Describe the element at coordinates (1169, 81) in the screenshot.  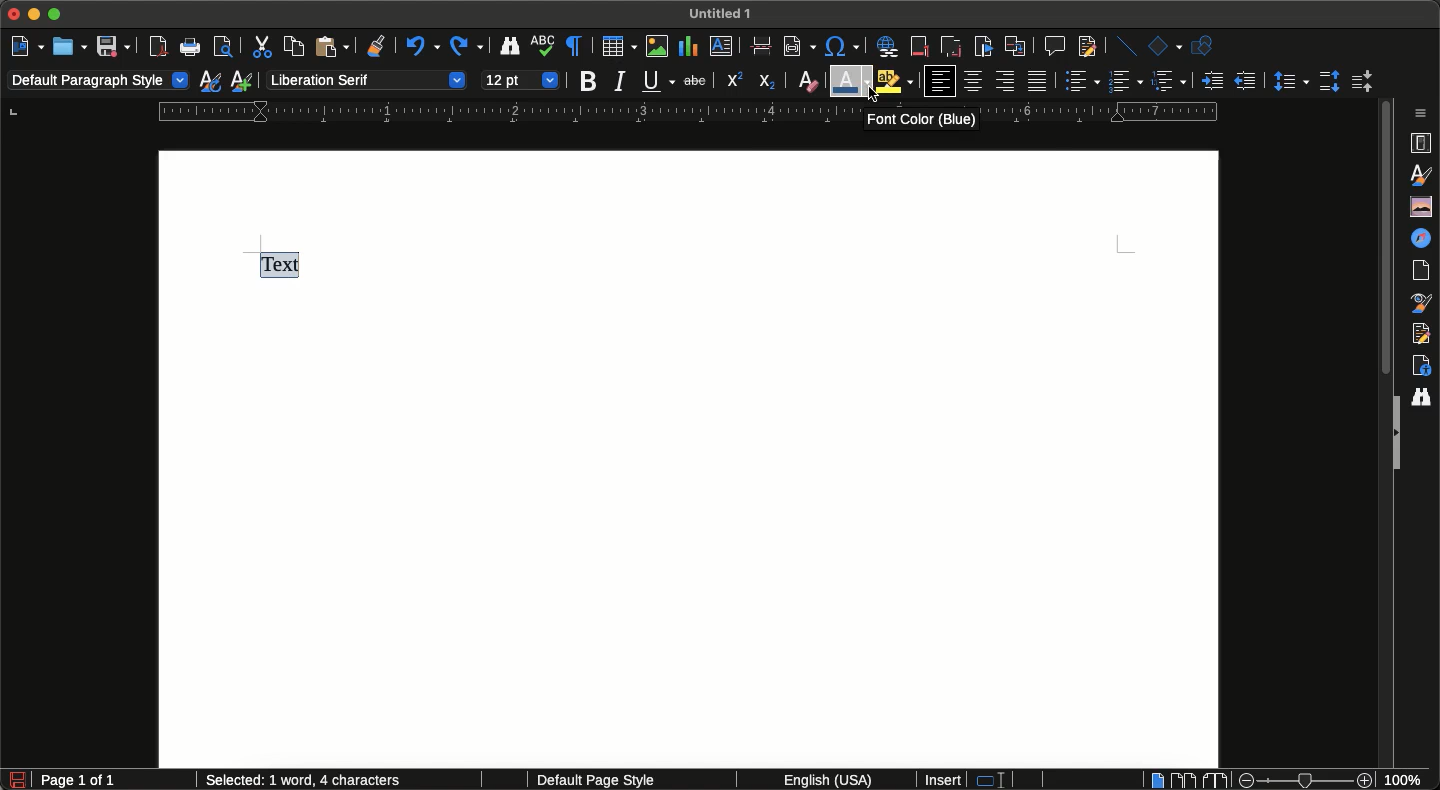
I see `Select outline format` at that location.